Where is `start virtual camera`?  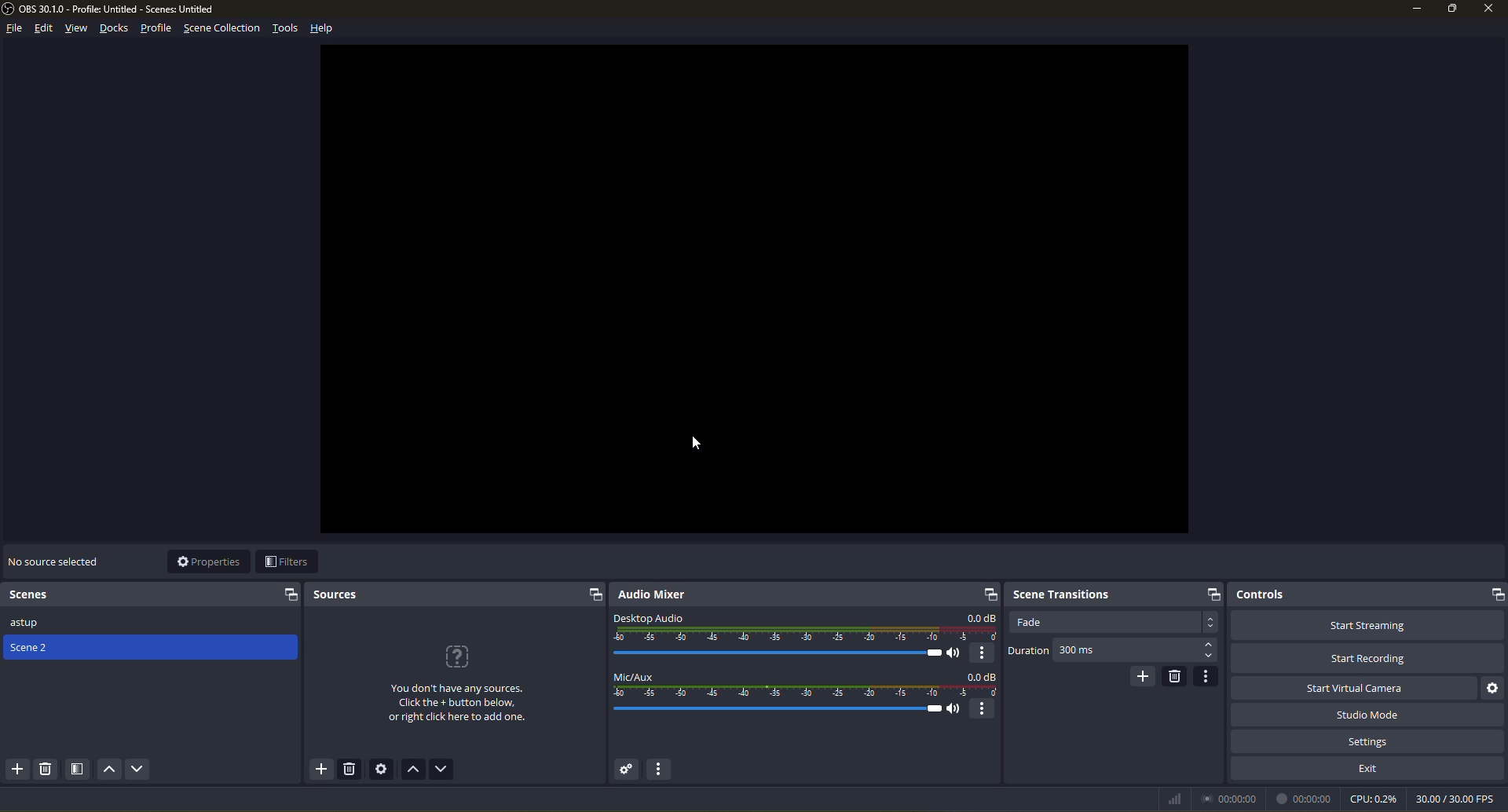 start virtual camera is located at coordinates (1353, 687).